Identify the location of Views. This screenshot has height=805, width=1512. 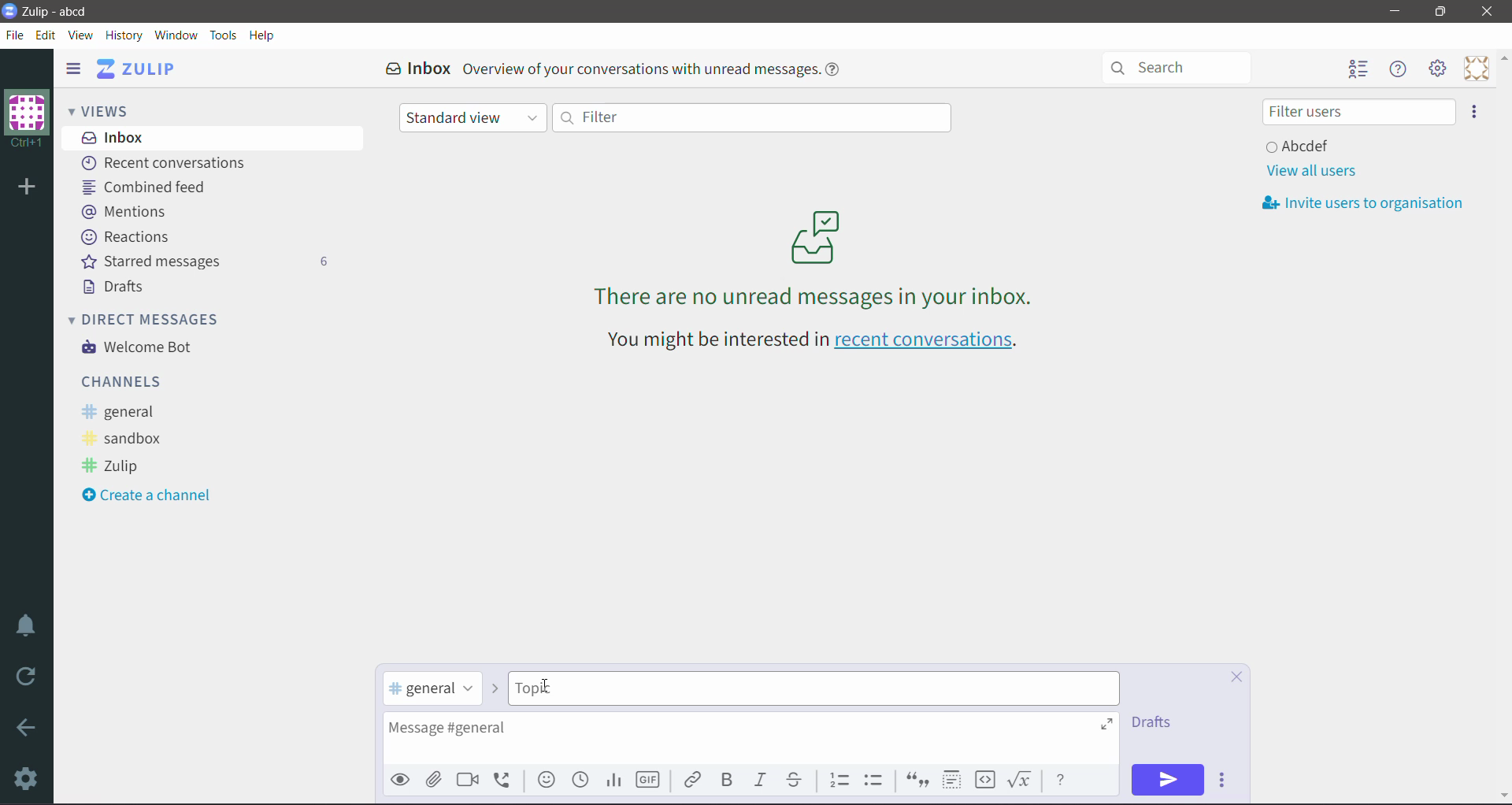
(110, 109).